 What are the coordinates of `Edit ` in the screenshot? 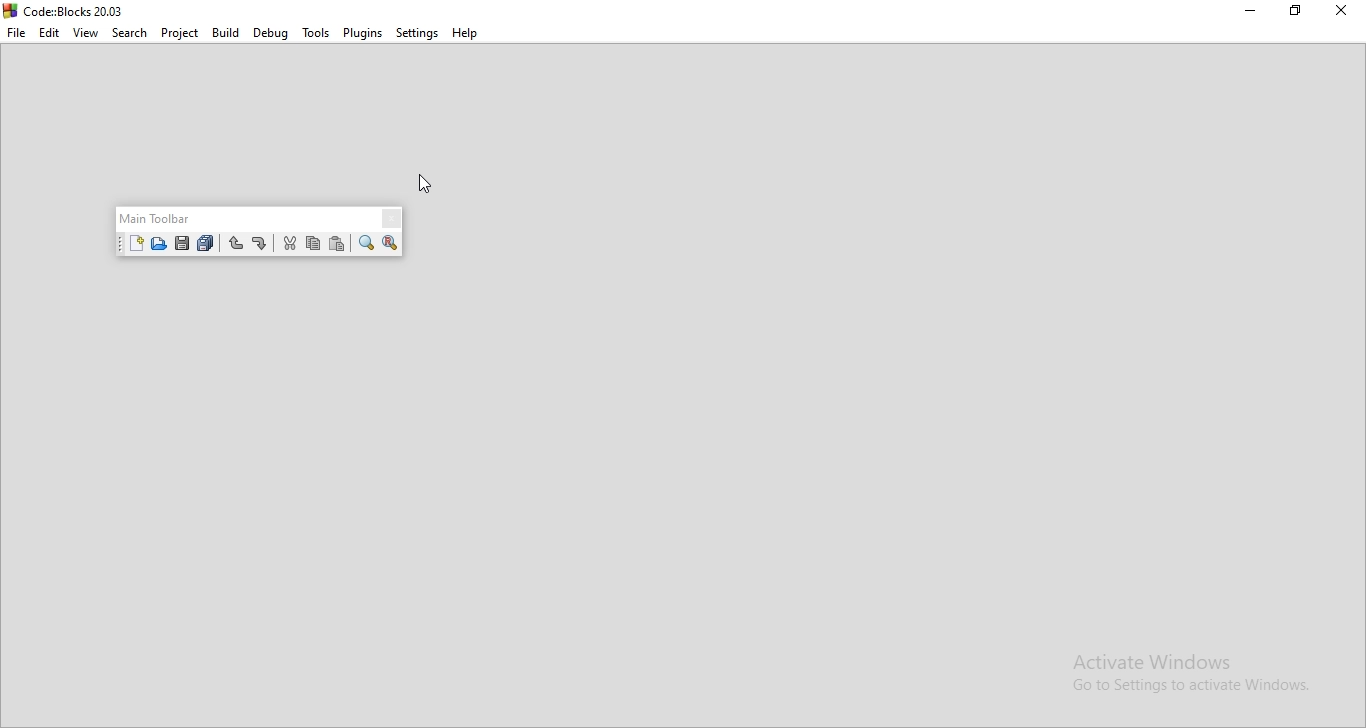 It's located at (51, 33).